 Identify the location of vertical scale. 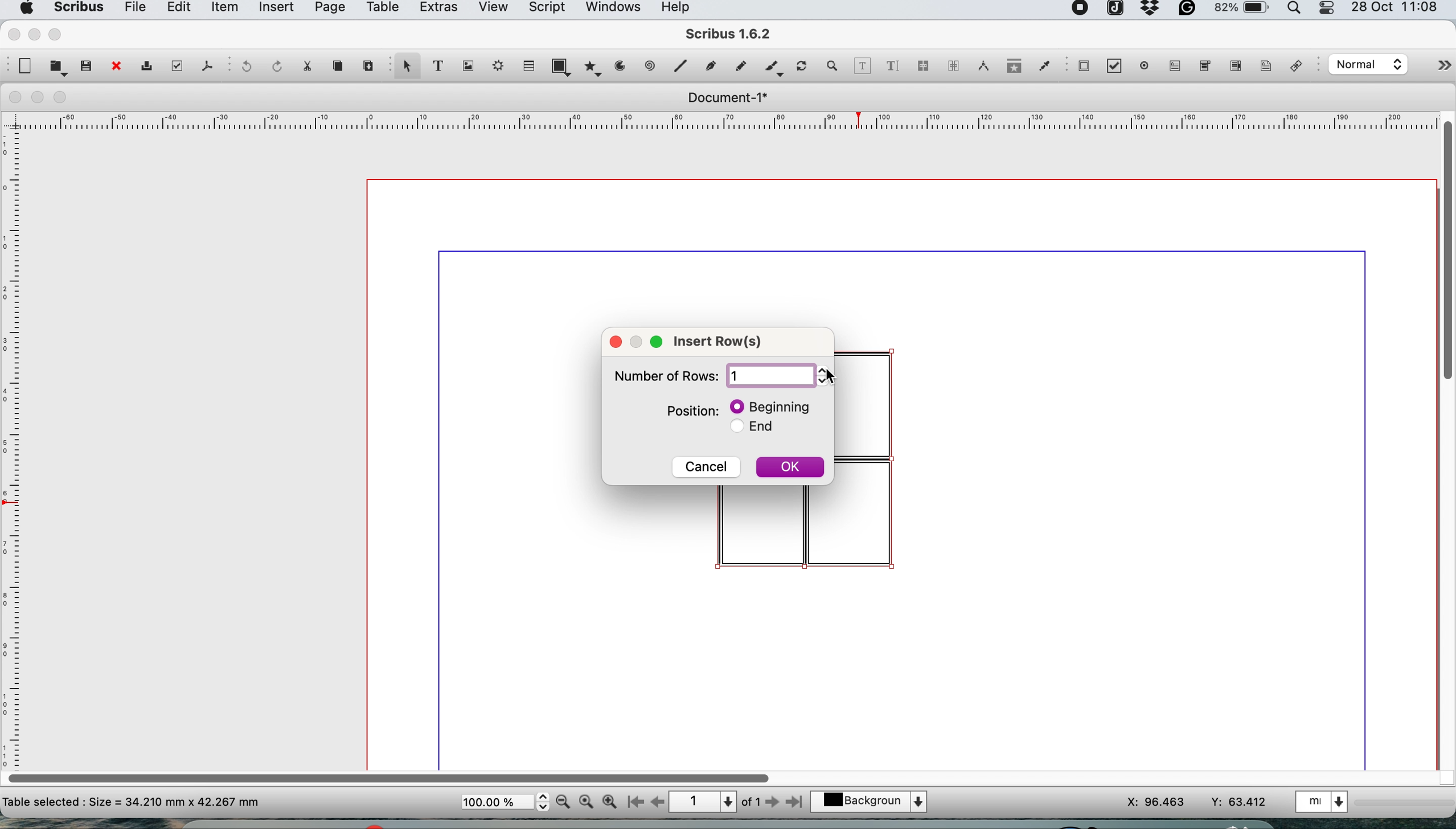
(14, 437).